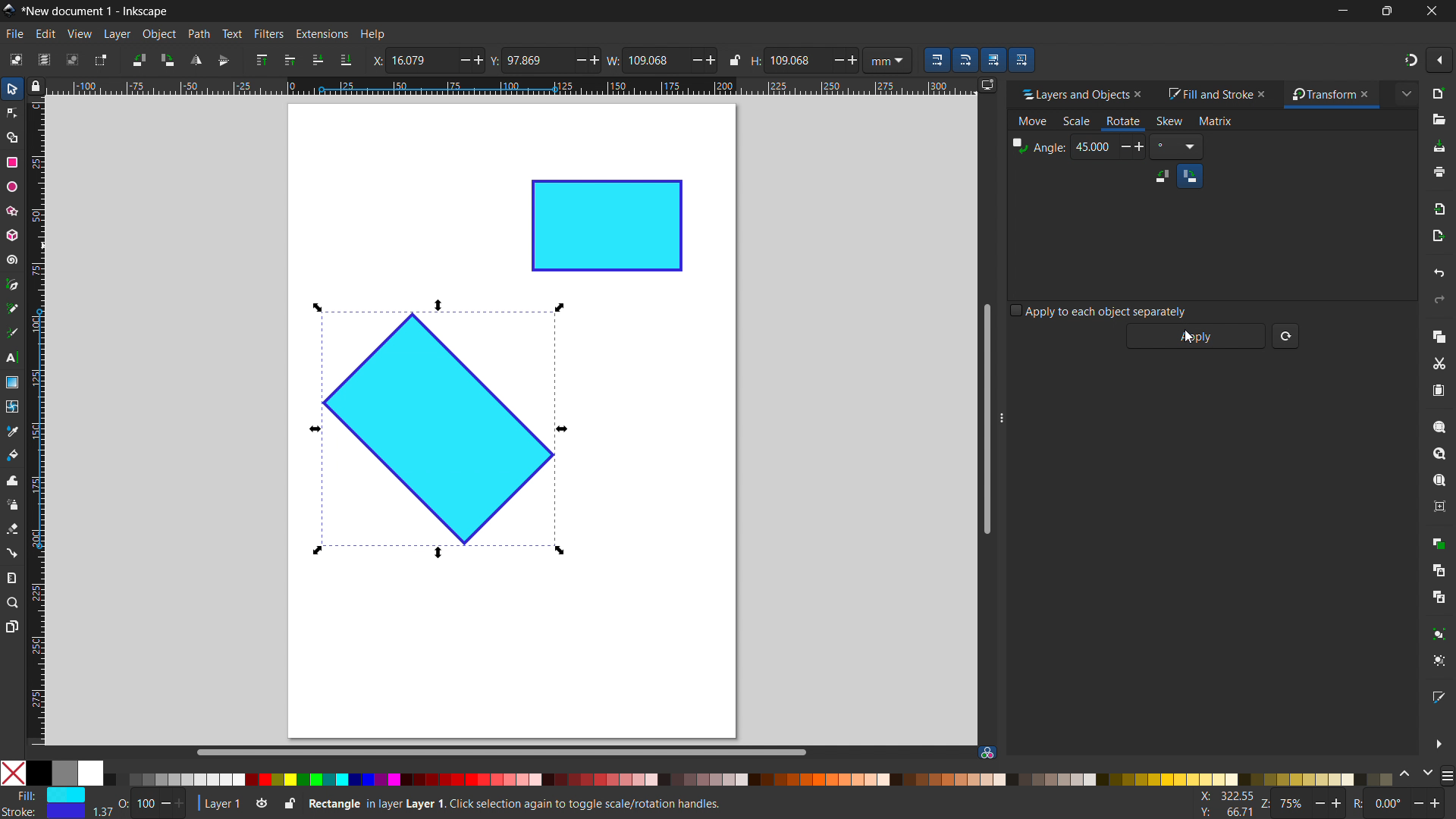 Image resolution: width=1456 pixels, height=819 pixels. Describe the element at coordinates (1169, 121) in the screenshot. I see `skew` at that location.